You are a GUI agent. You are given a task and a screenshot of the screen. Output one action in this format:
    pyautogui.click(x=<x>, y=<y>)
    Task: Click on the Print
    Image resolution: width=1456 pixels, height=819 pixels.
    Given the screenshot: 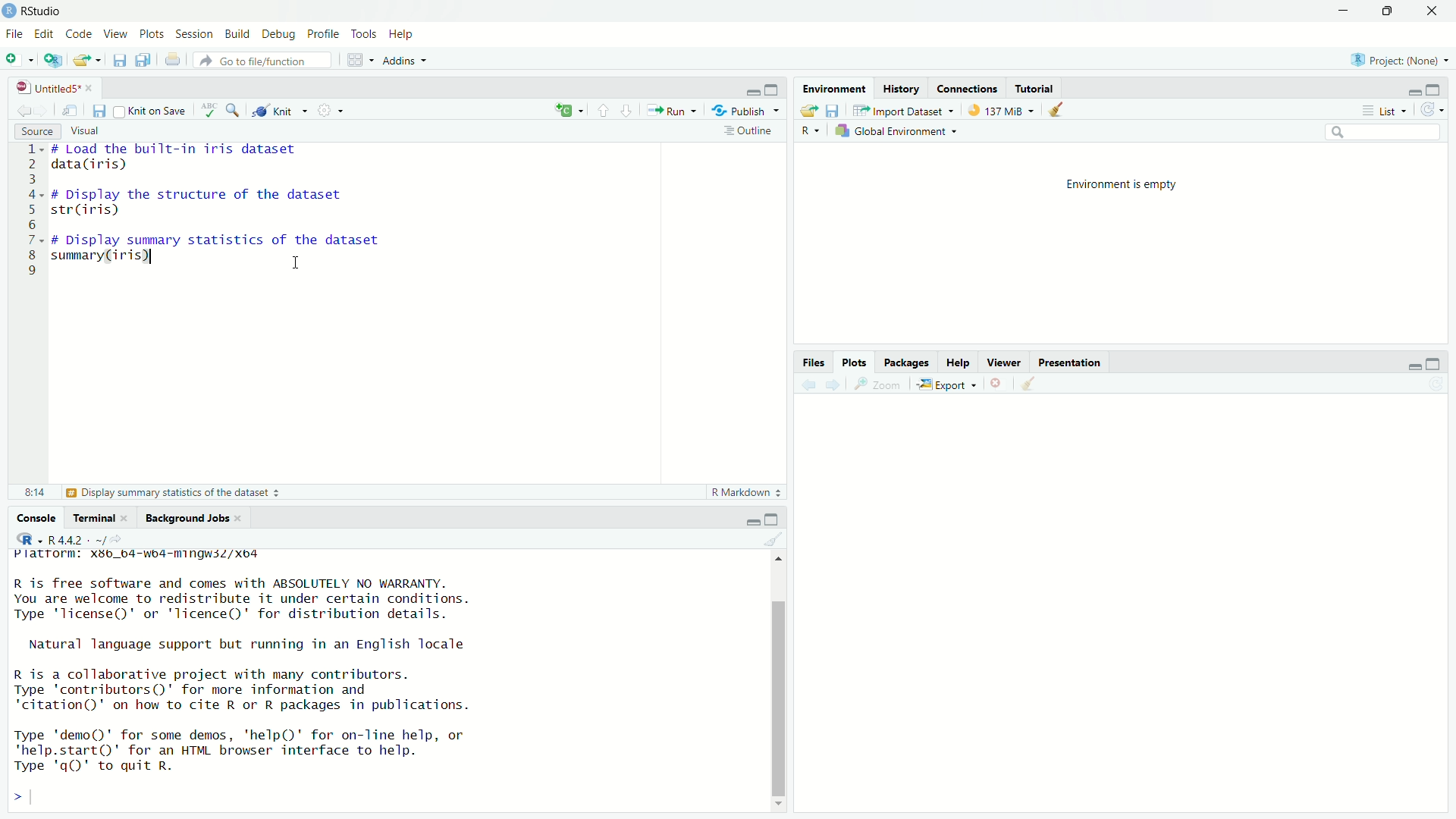 What is the action you would take?
    pyautogui.click(x=172, y=58)
    